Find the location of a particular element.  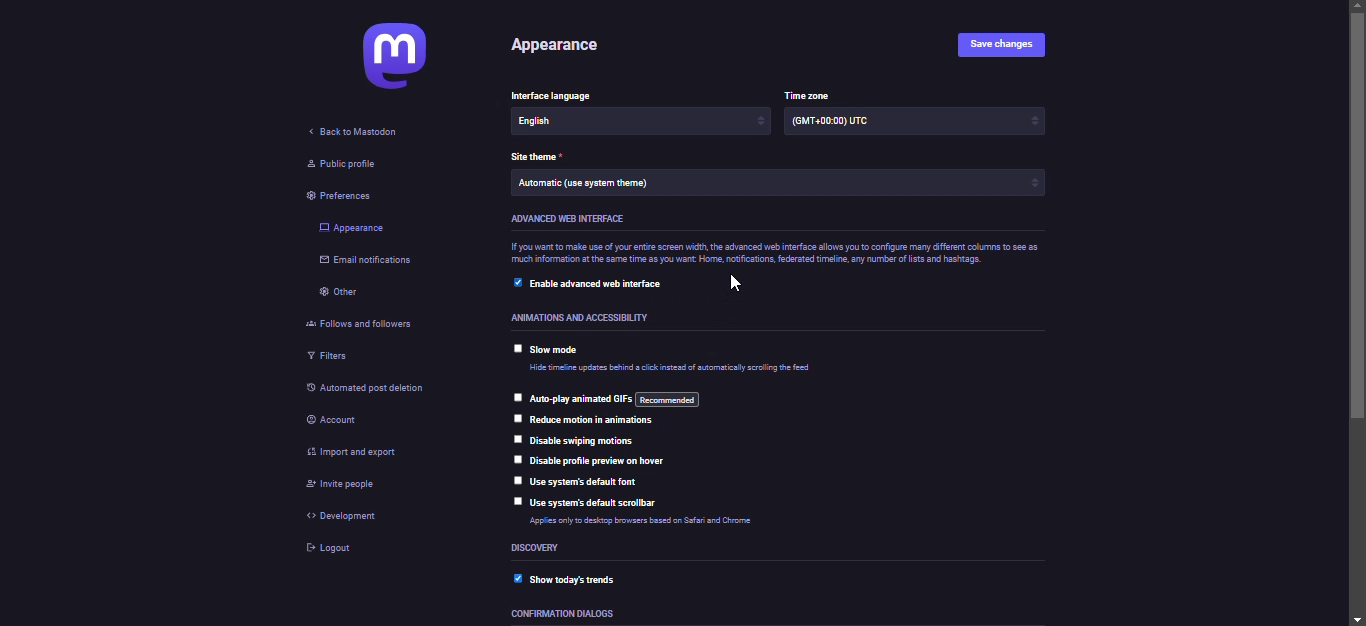

use system's default font is located at coordinates (589, 480).